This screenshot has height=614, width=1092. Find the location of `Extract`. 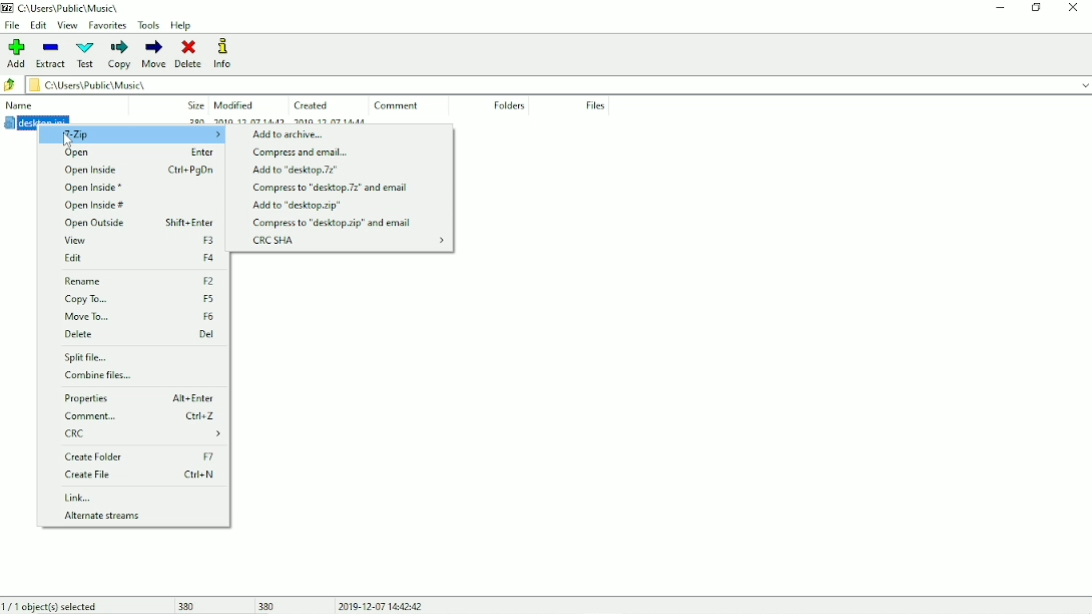

Extract is located at coordinates (50, 55).